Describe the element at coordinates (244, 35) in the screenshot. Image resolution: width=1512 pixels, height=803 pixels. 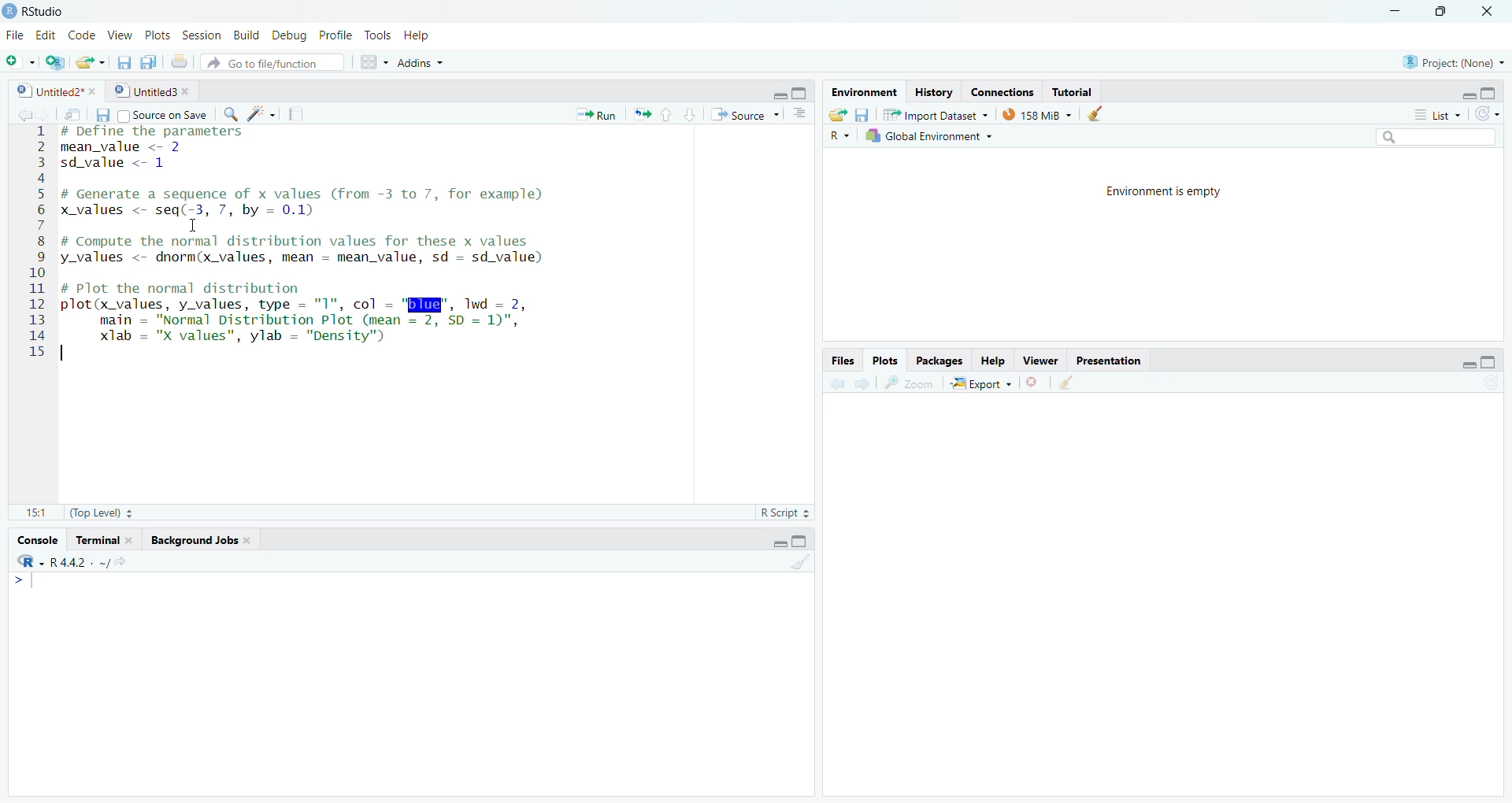
I see `Build` at that location.